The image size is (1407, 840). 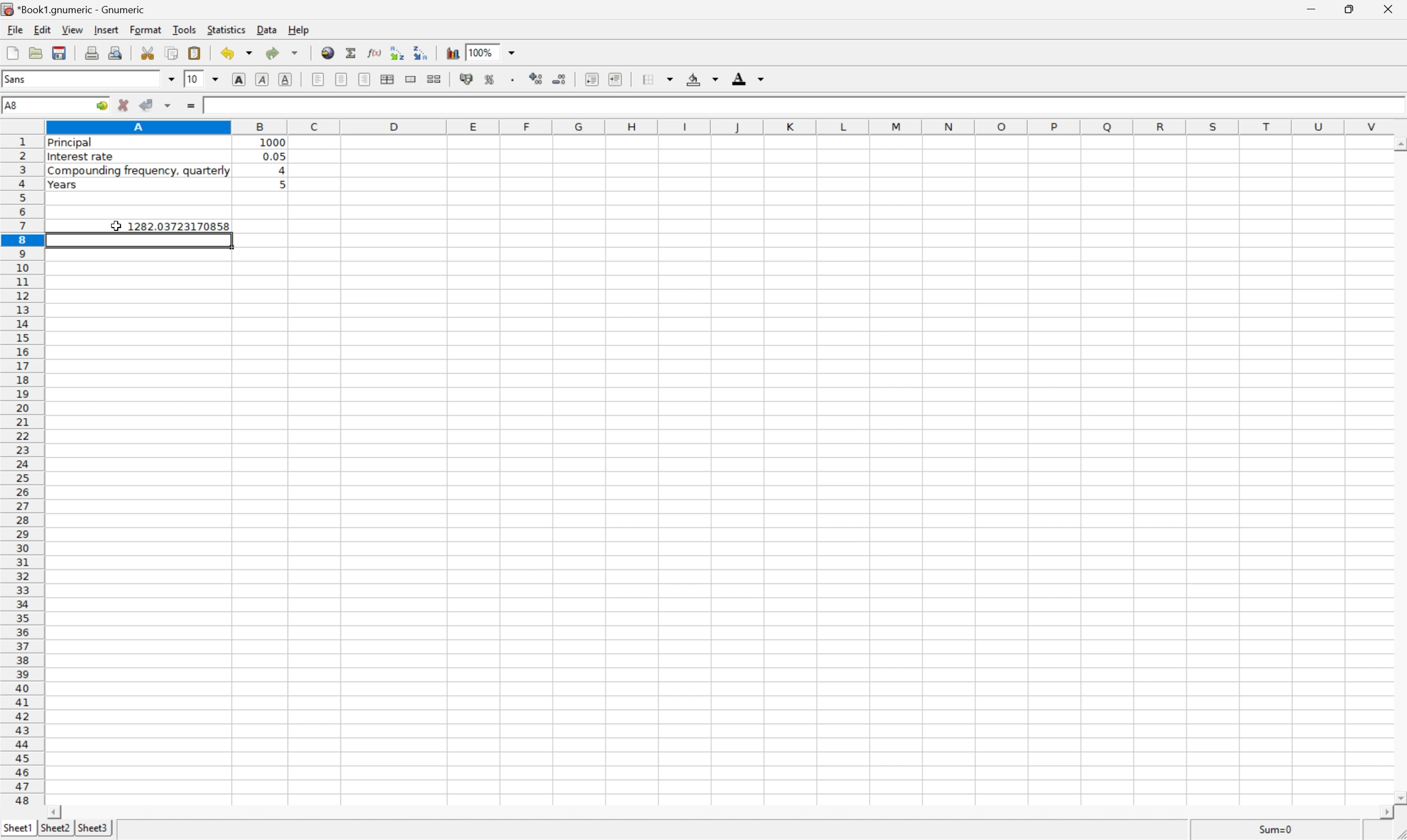 What do you see at coordinates (375, 53) in the screenshot?
I see `edit function in current cell` at bounding box center [375, 53].